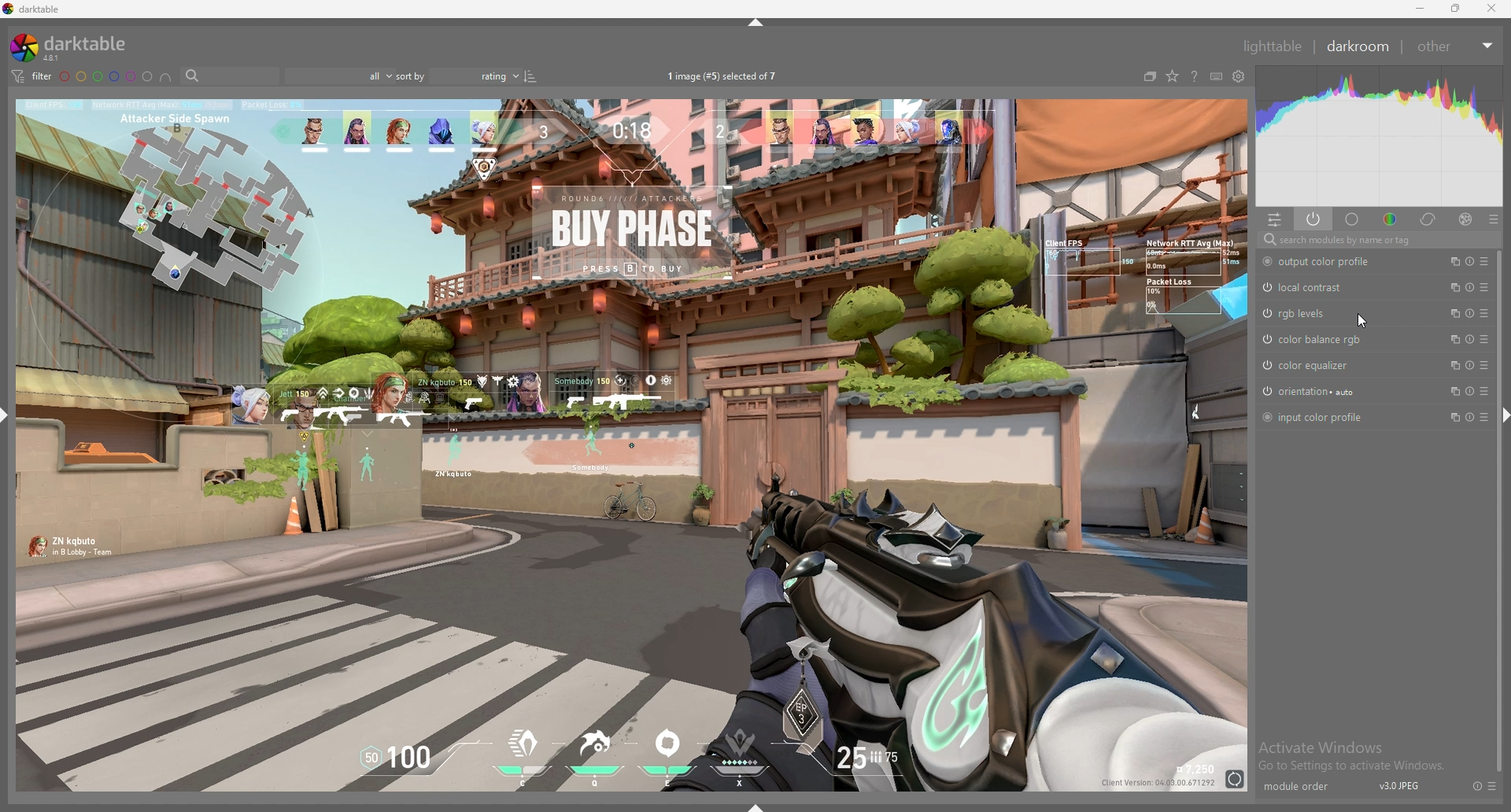 The image size is (1511, 812). I want to click on color, so click(1391, 220).